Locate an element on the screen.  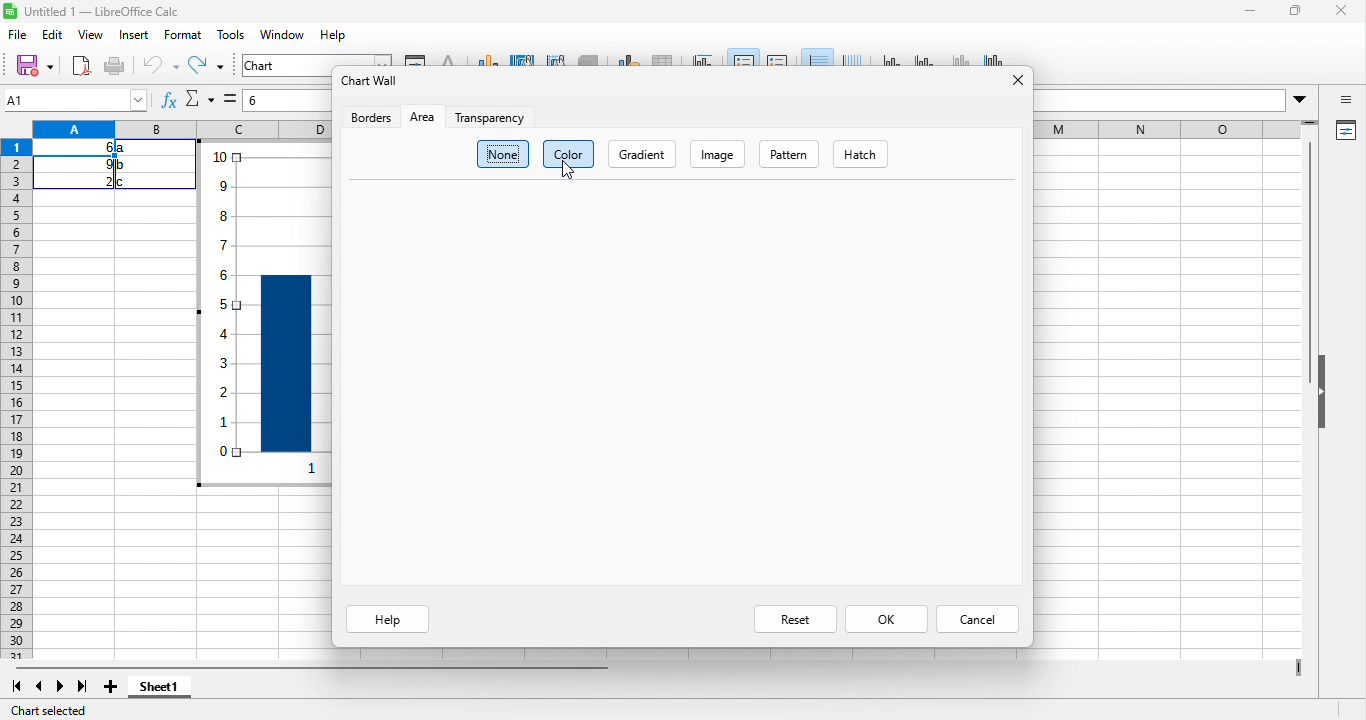
a is located at coordinates (124, 148).